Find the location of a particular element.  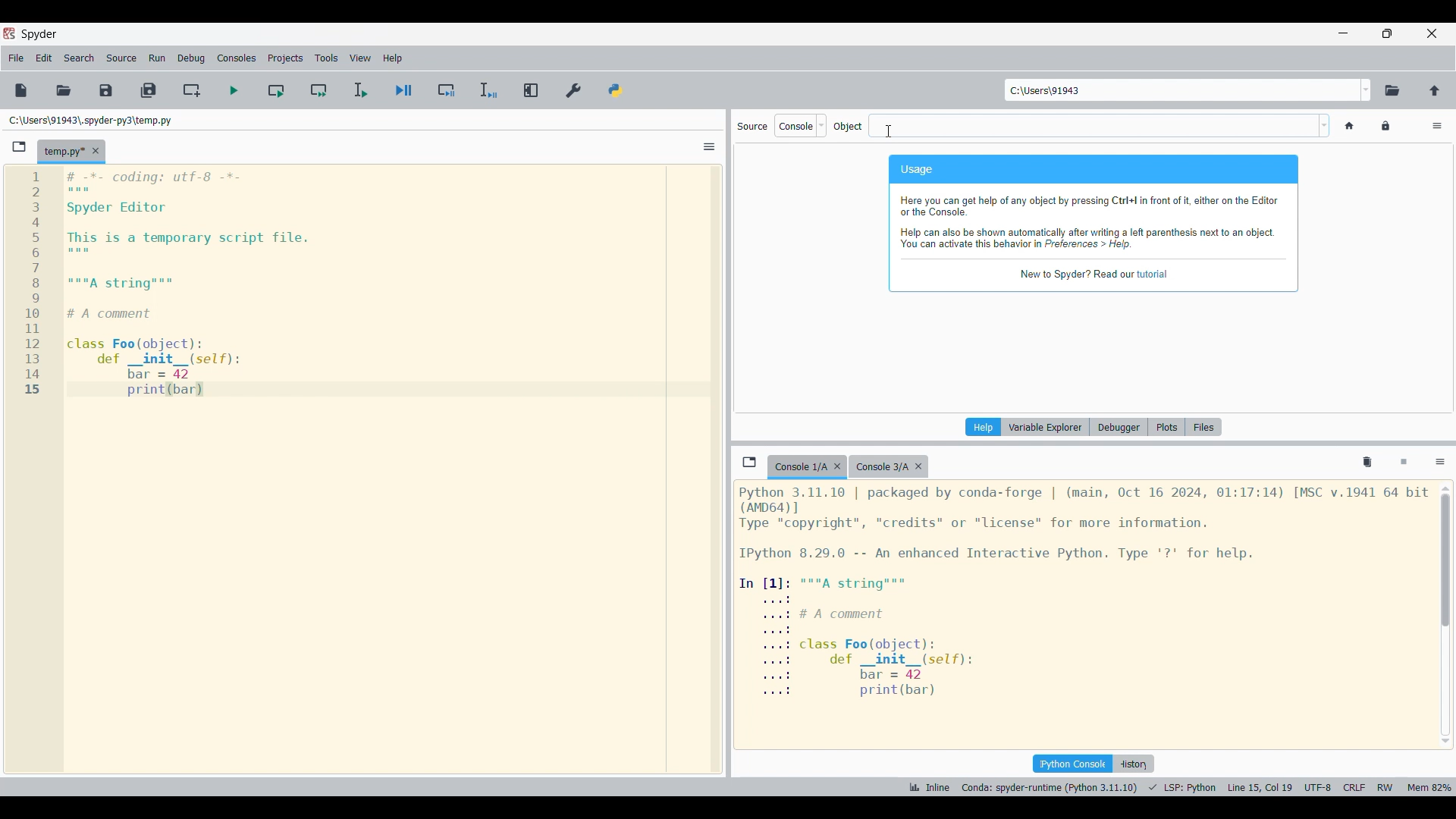

Preferences is located at coordinates (573, 90).